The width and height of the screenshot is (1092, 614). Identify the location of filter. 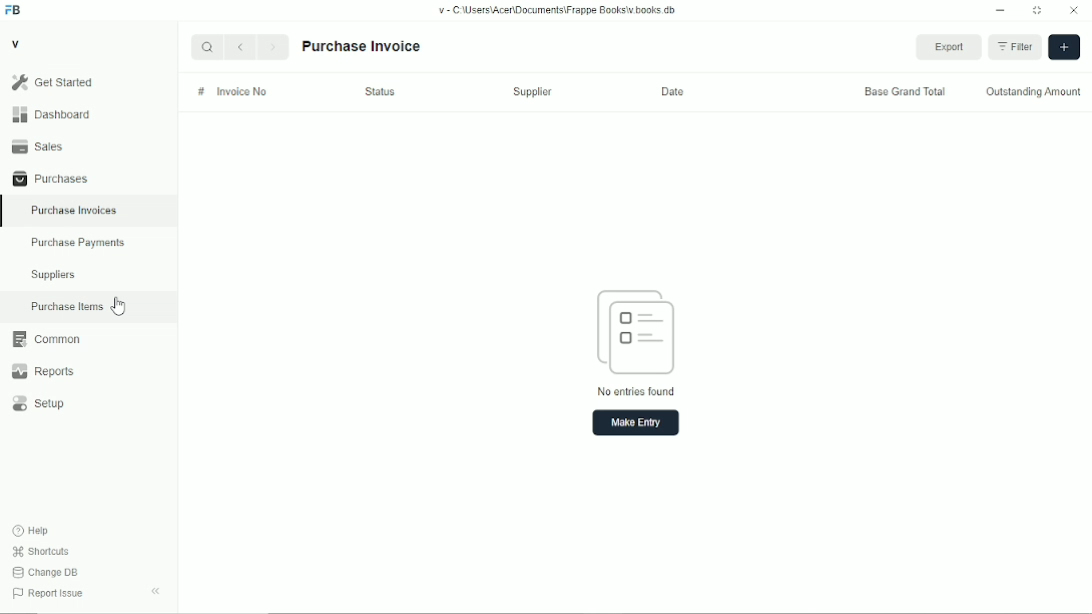
(1015, 47).